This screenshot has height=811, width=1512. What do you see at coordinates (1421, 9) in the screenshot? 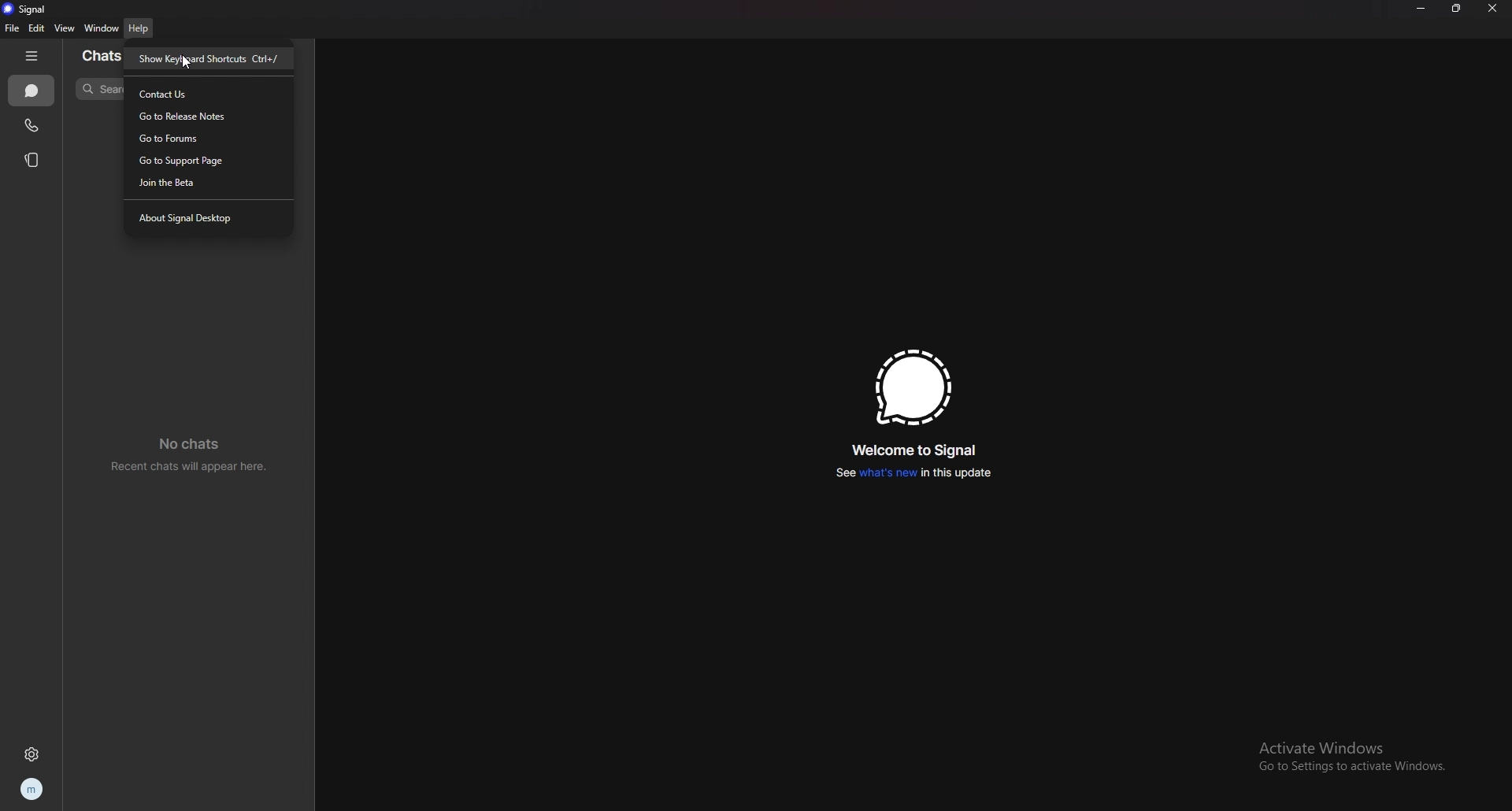
I see `minimize` at bounding box center [1421, 9].